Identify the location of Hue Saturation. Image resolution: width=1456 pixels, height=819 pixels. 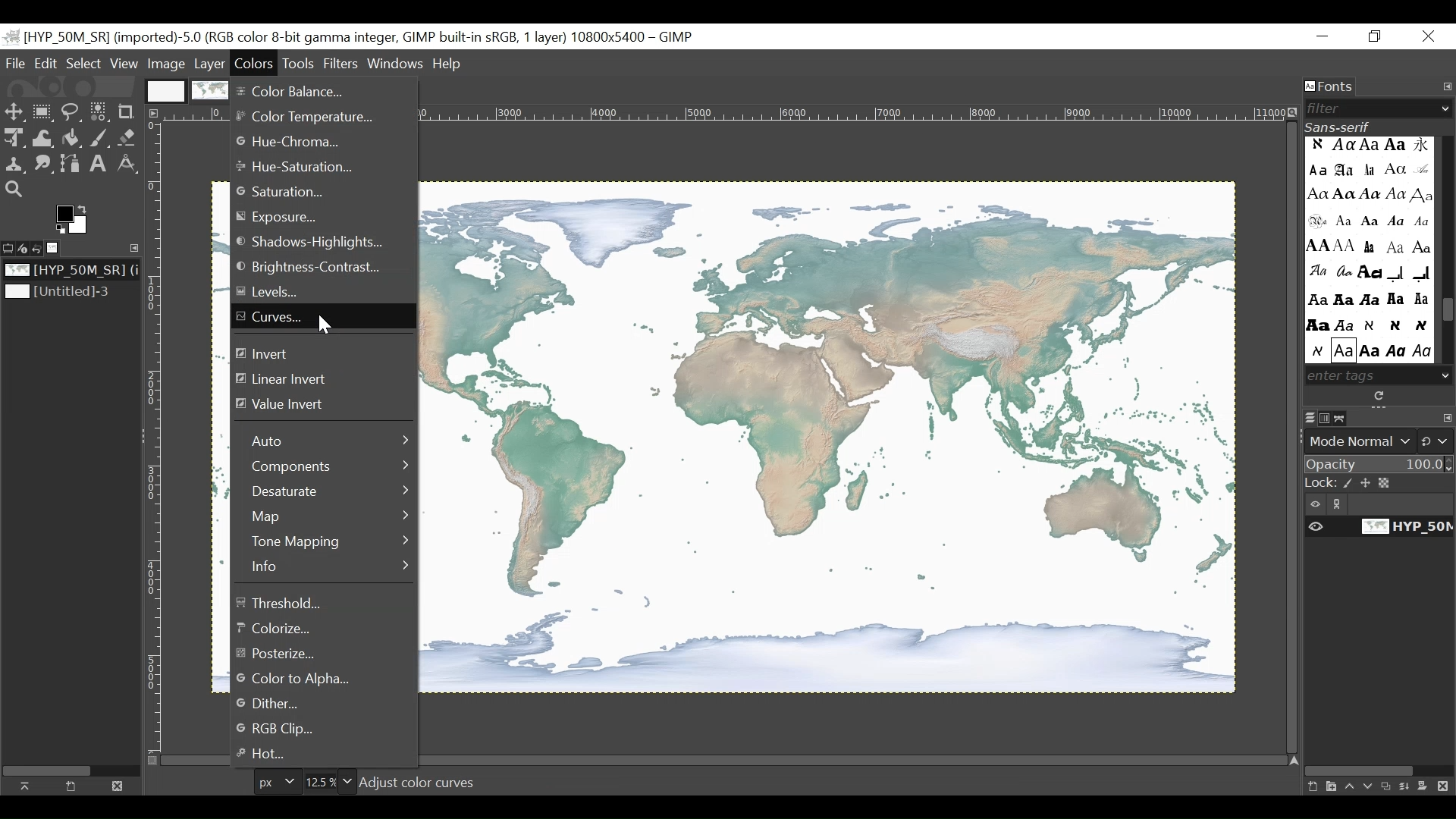
(313, 168).